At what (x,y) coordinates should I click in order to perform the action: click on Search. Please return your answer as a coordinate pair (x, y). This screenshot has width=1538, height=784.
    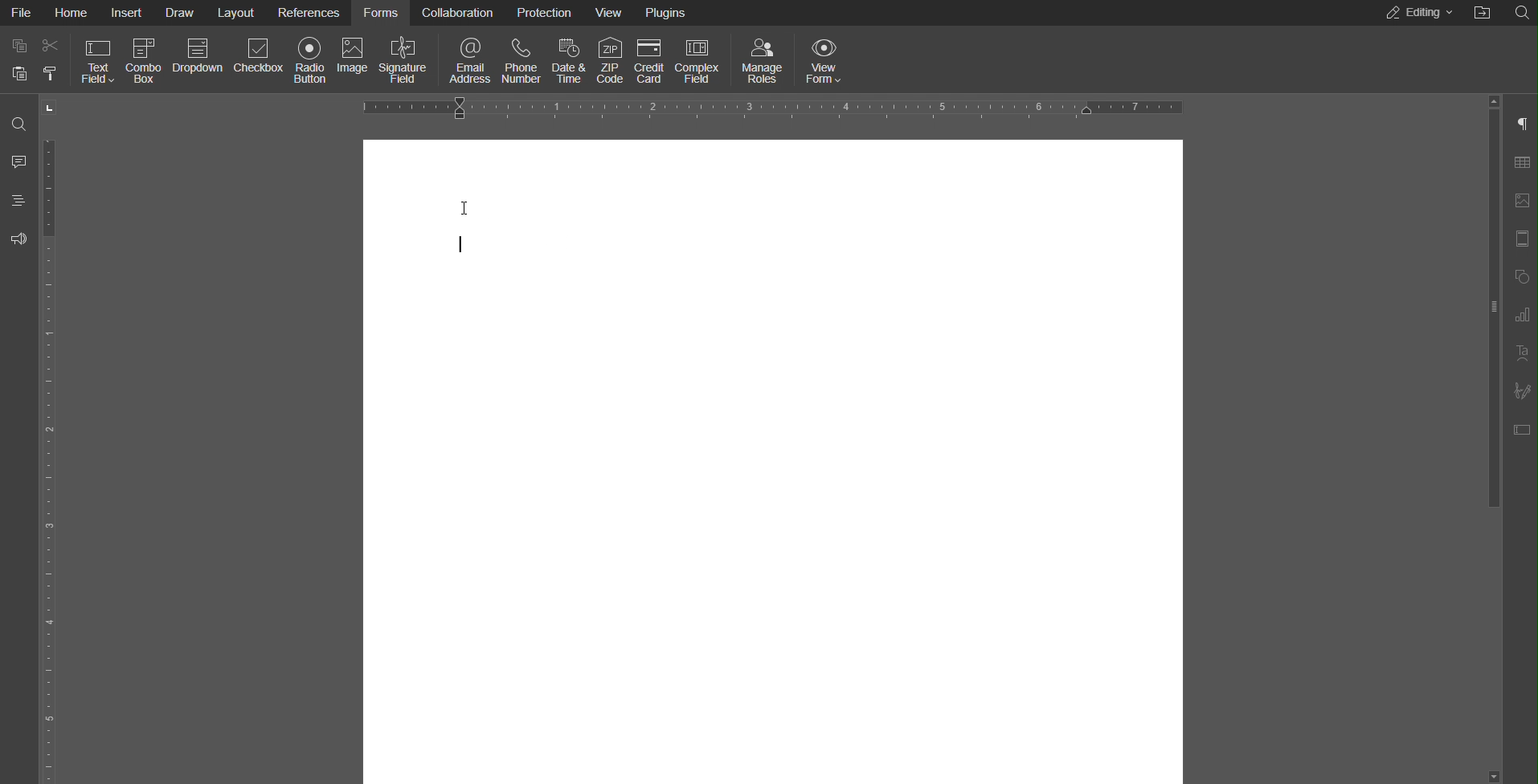
    Looking at the image, I should click on (1520, 11).